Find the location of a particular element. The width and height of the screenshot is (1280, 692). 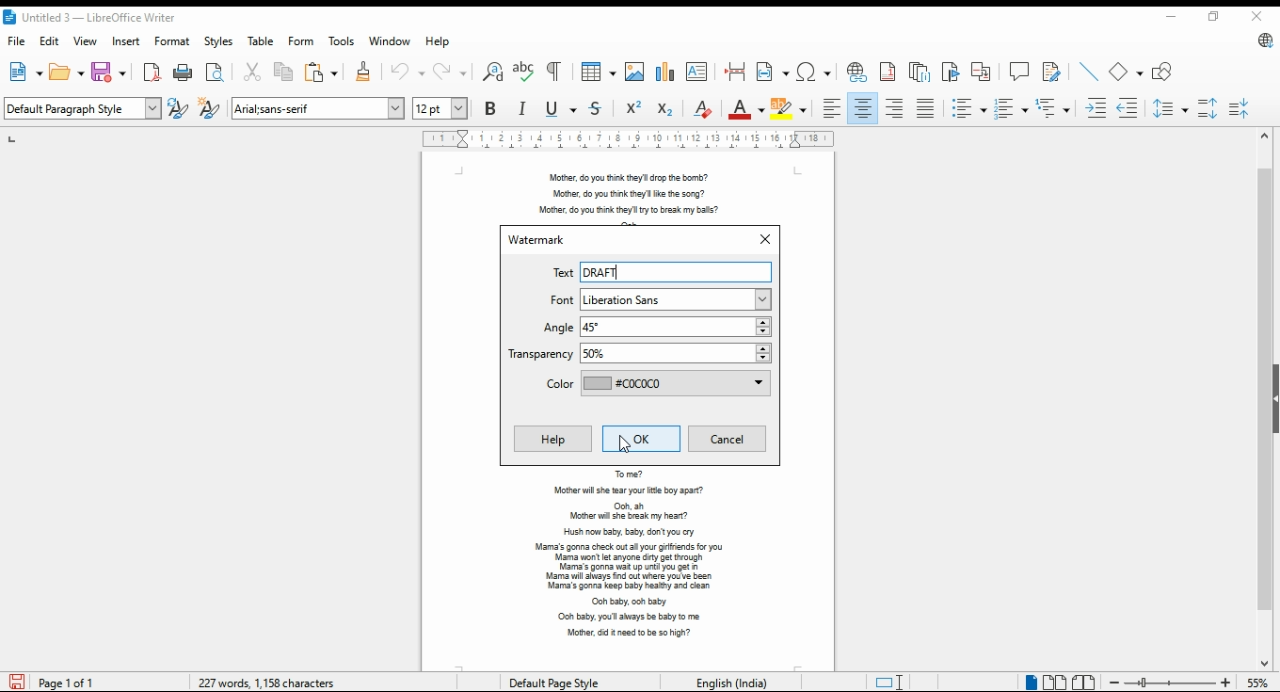

update selected style is located at coordinates (179, 108).